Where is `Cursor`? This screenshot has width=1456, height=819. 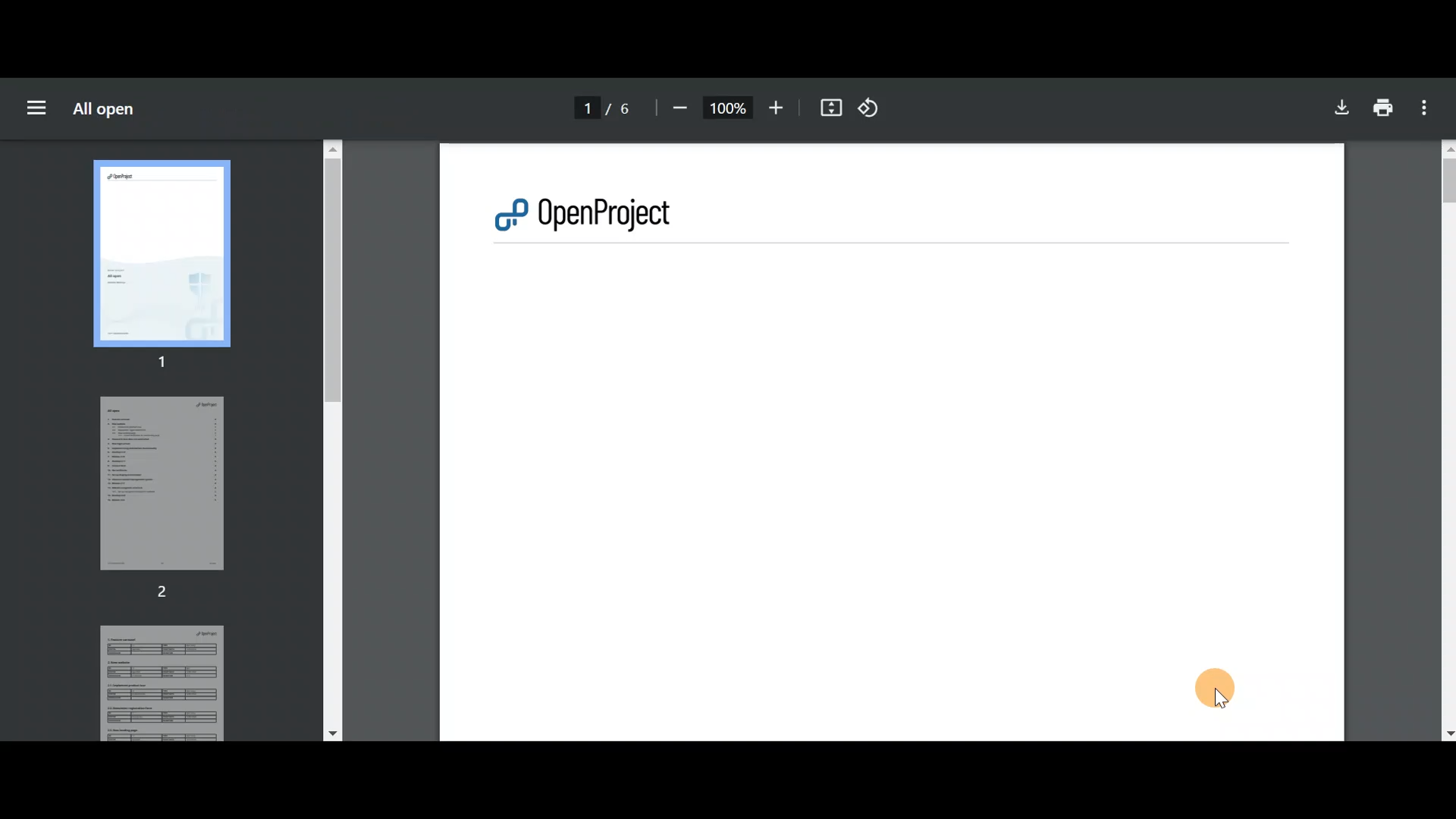 Cursor is located at coordinates (1228, 685).